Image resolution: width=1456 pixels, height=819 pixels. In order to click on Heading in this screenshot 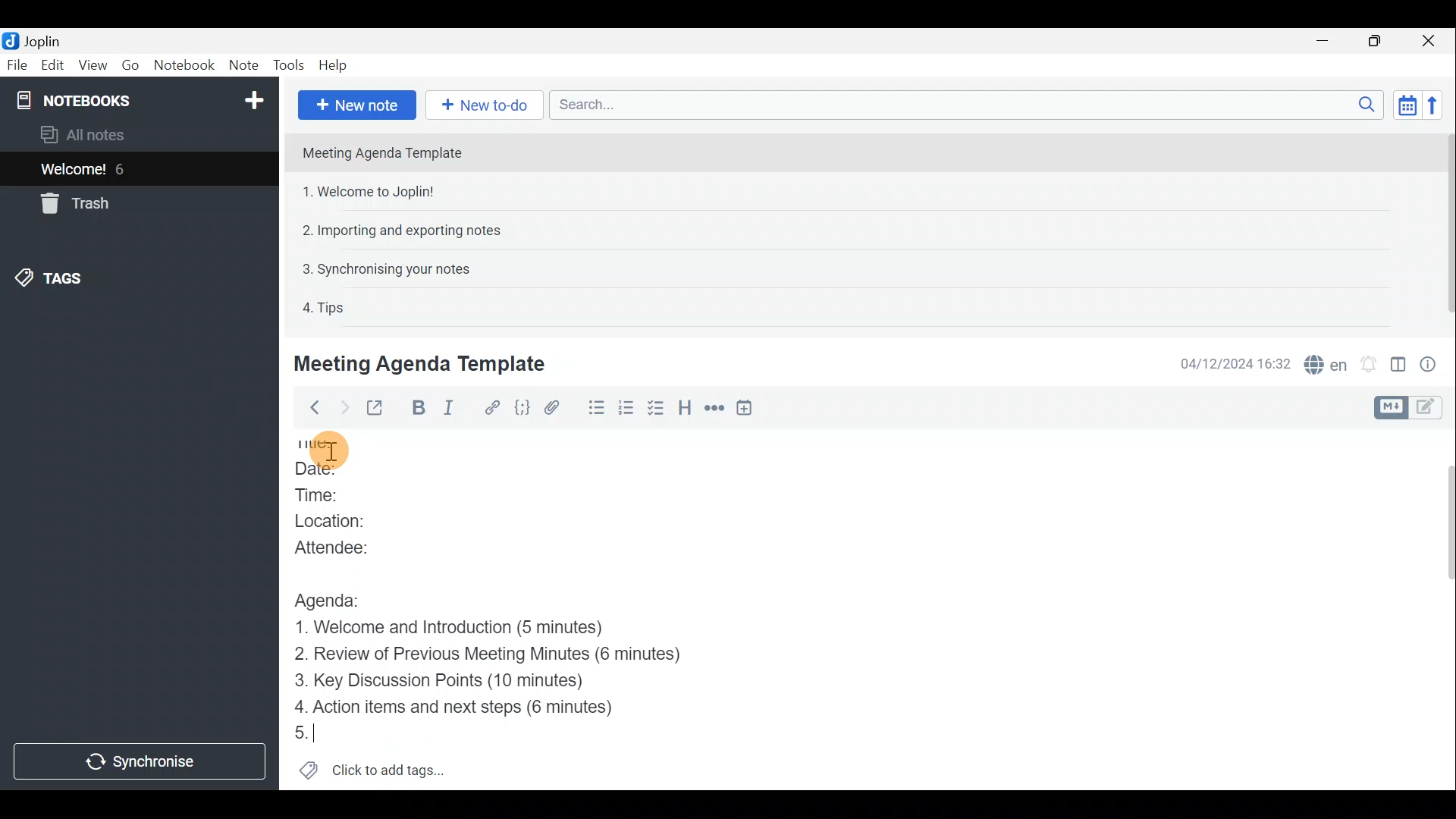, I will do `click(685, 410)`.